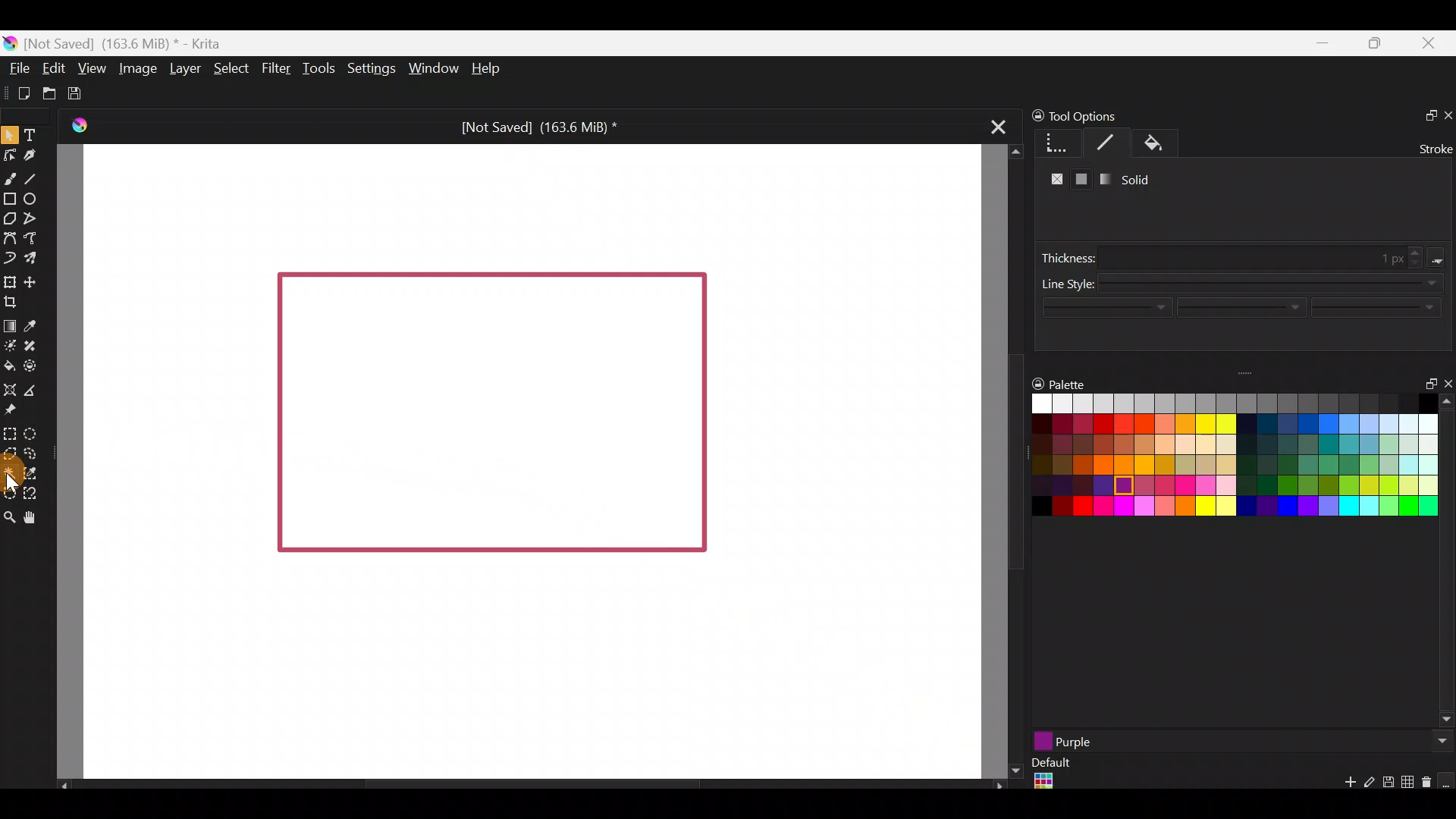 Image resolution: width=1456 pixels, height=819 pixels. I want to click on Contiguous selection tool, so click(11, 473).